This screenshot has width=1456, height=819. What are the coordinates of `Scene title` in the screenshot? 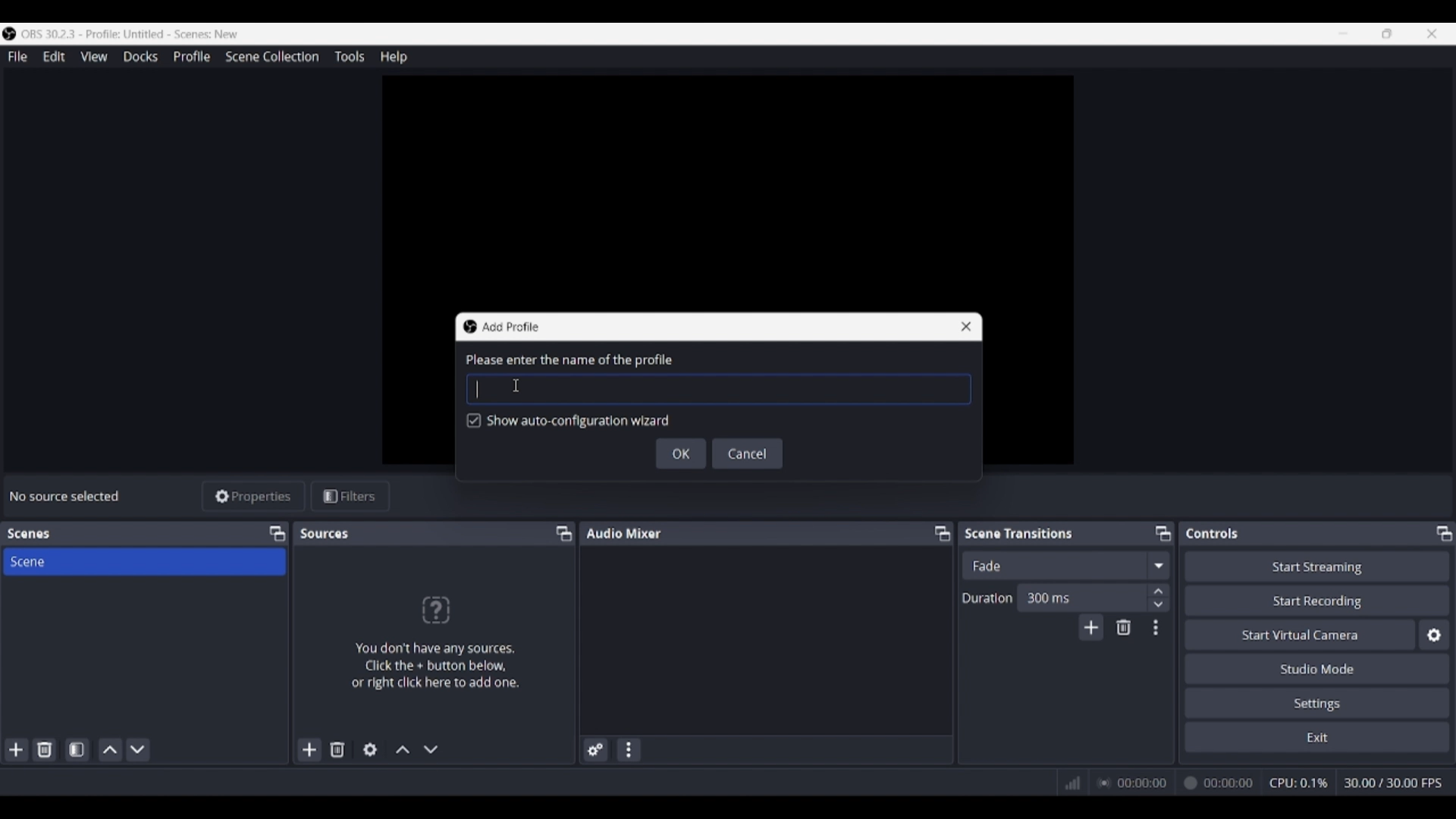 It's located at (144, 561).